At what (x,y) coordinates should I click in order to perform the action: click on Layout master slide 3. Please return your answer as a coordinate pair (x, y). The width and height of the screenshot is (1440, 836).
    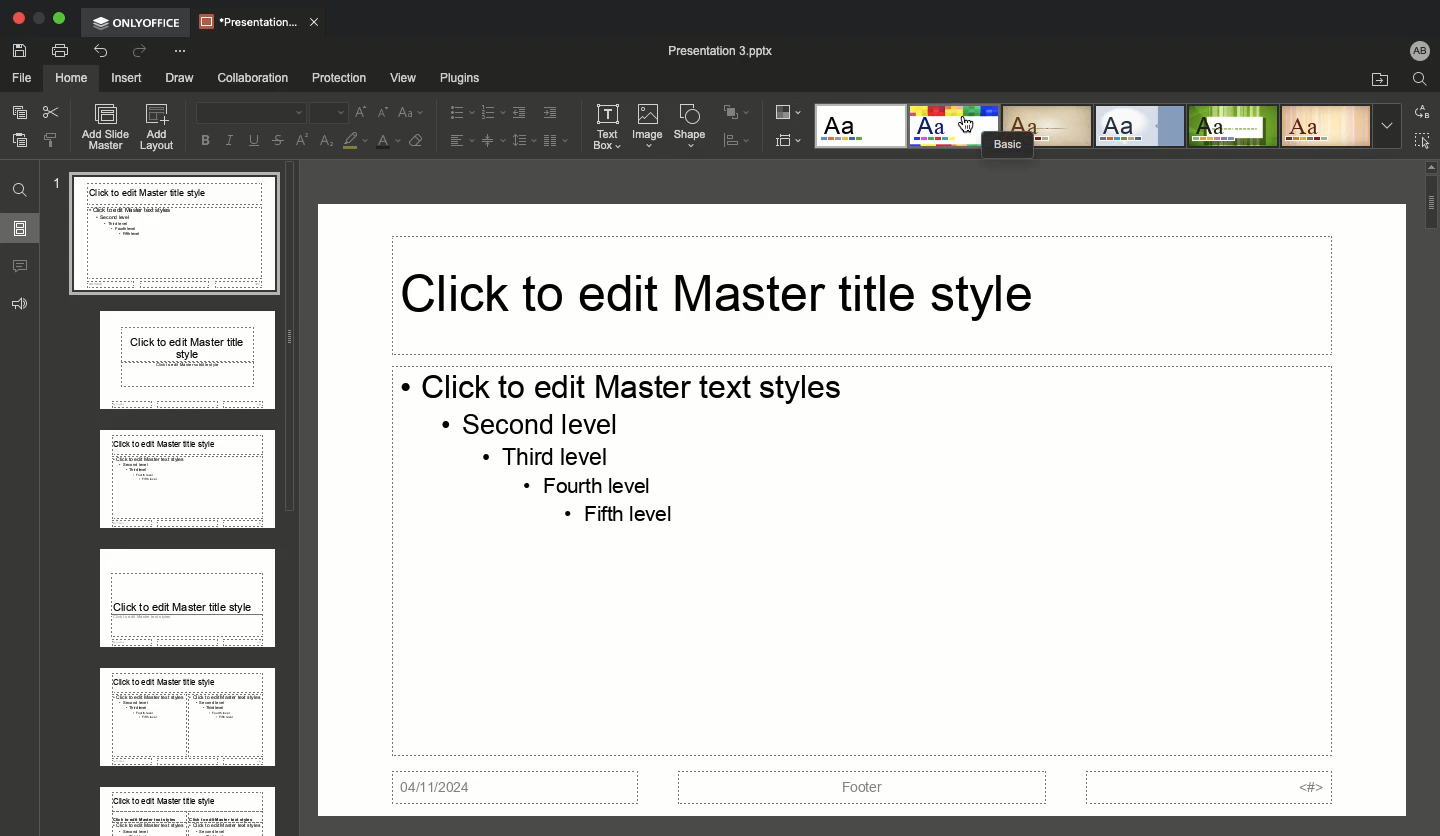
    Looking at the image, I should click on (185, 480).